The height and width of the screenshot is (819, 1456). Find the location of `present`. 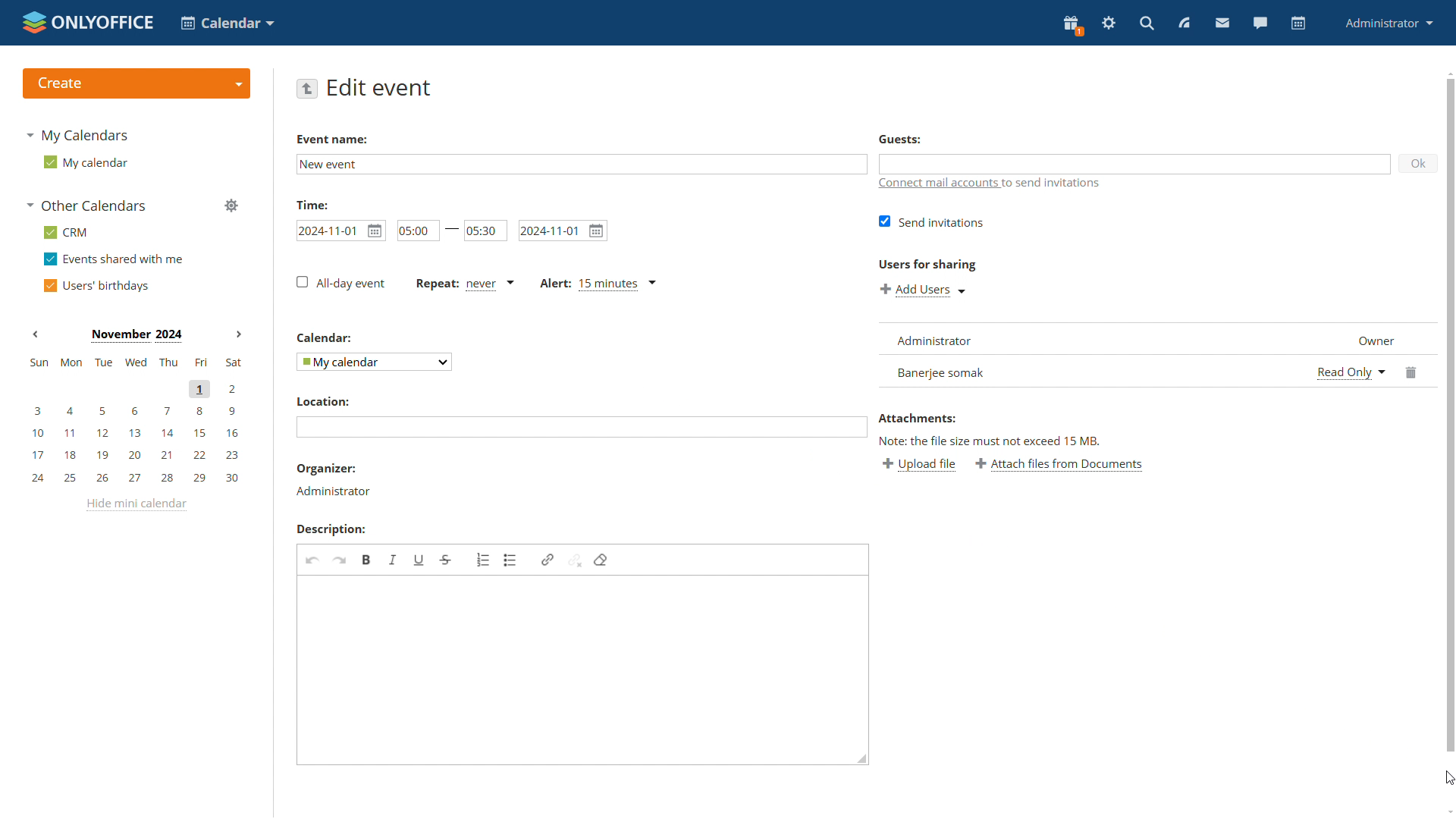

present is located at coordinates (1072, 26).